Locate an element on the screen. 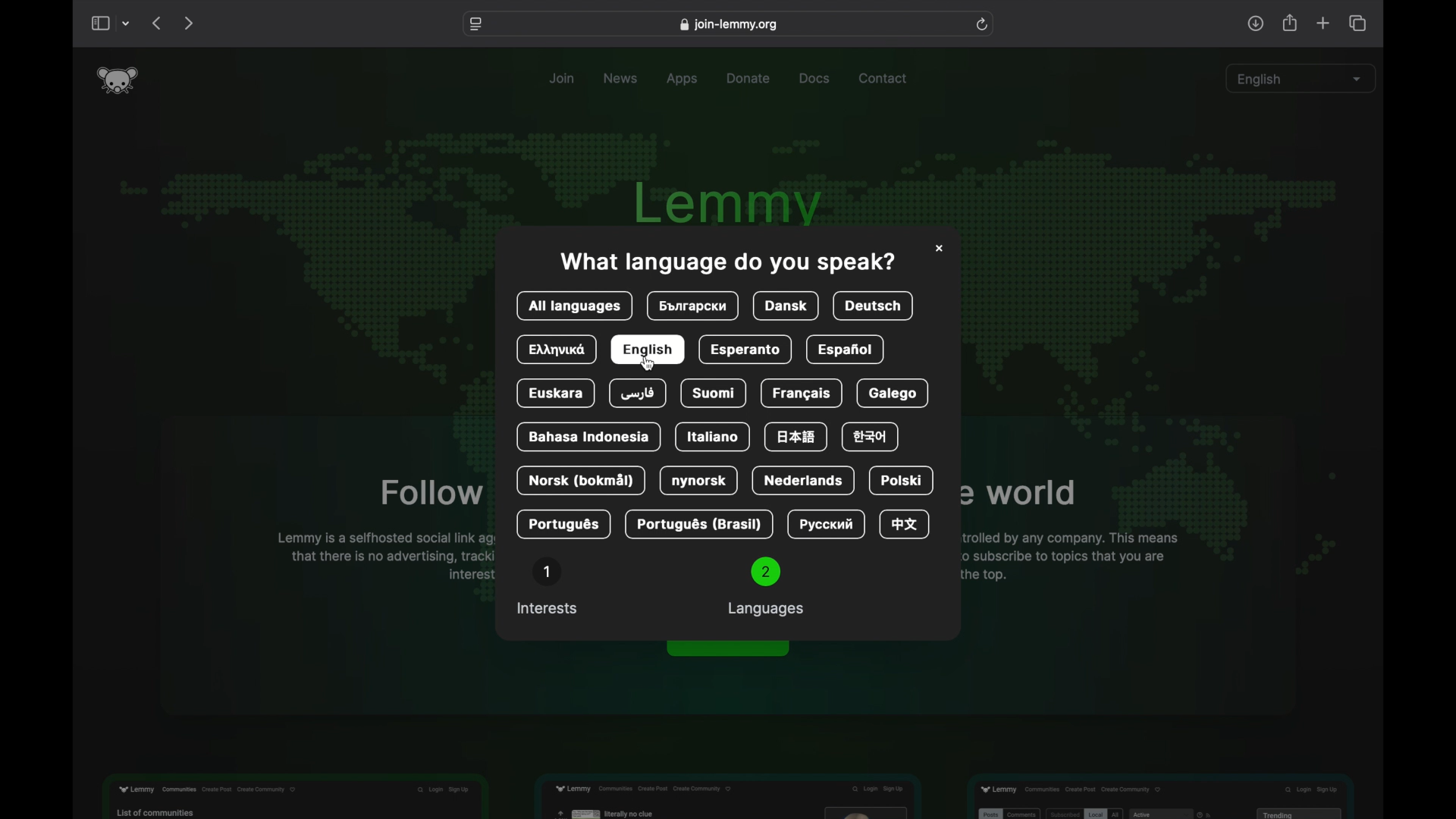 The height and width of the screenshot is (819, 1456). website settings is located at coordinates (477, 24).